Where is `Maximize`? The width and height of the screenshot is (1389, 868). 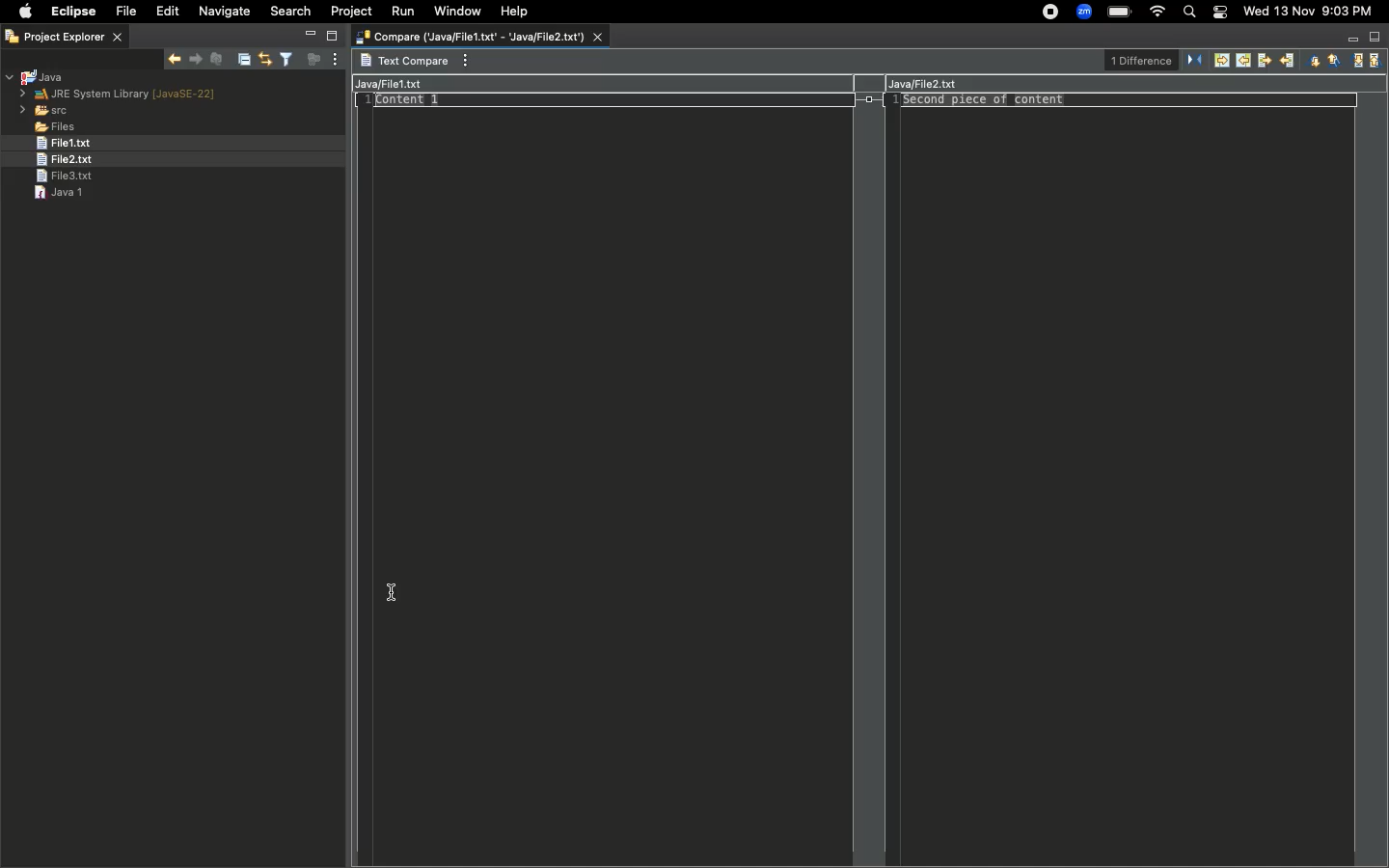 Maximize is located at coordinates (1375, 39).